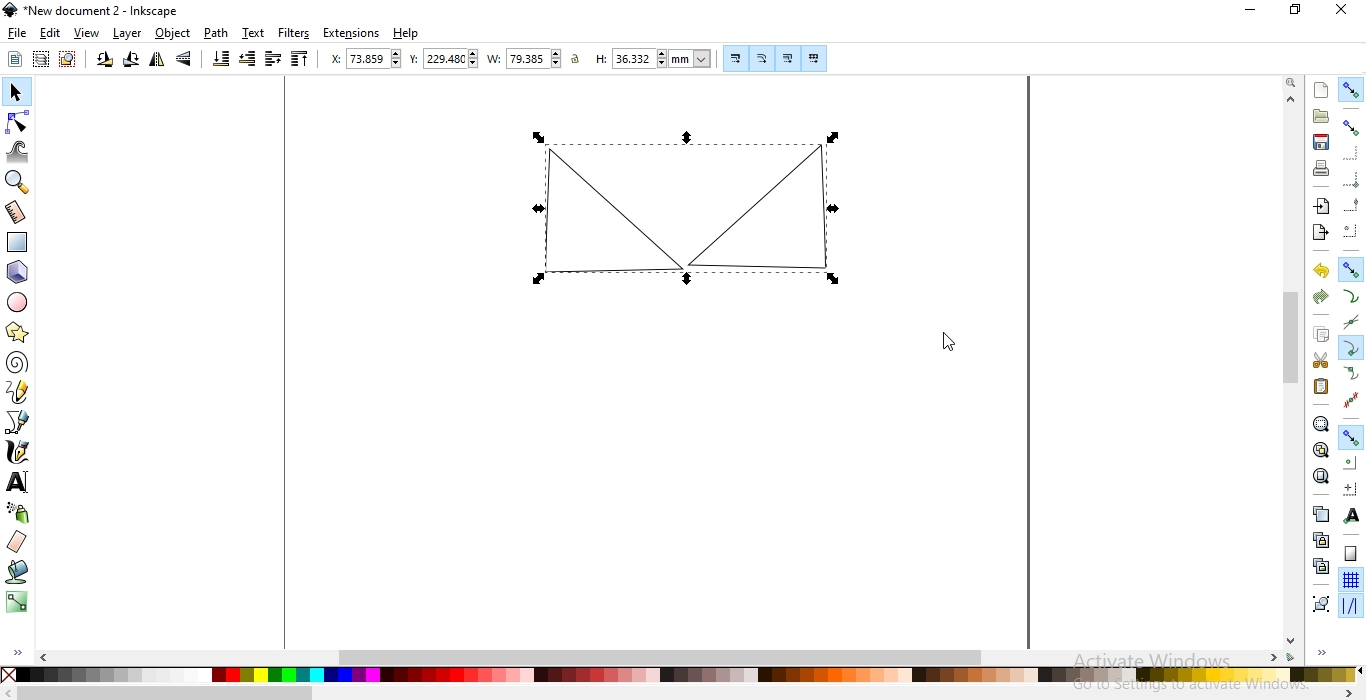 The height and width of the screenshot is (700, 1366). Describe the element at coordinates (1350, 397) in the screenshot. I see `snap midpoints of line segments` at that location.